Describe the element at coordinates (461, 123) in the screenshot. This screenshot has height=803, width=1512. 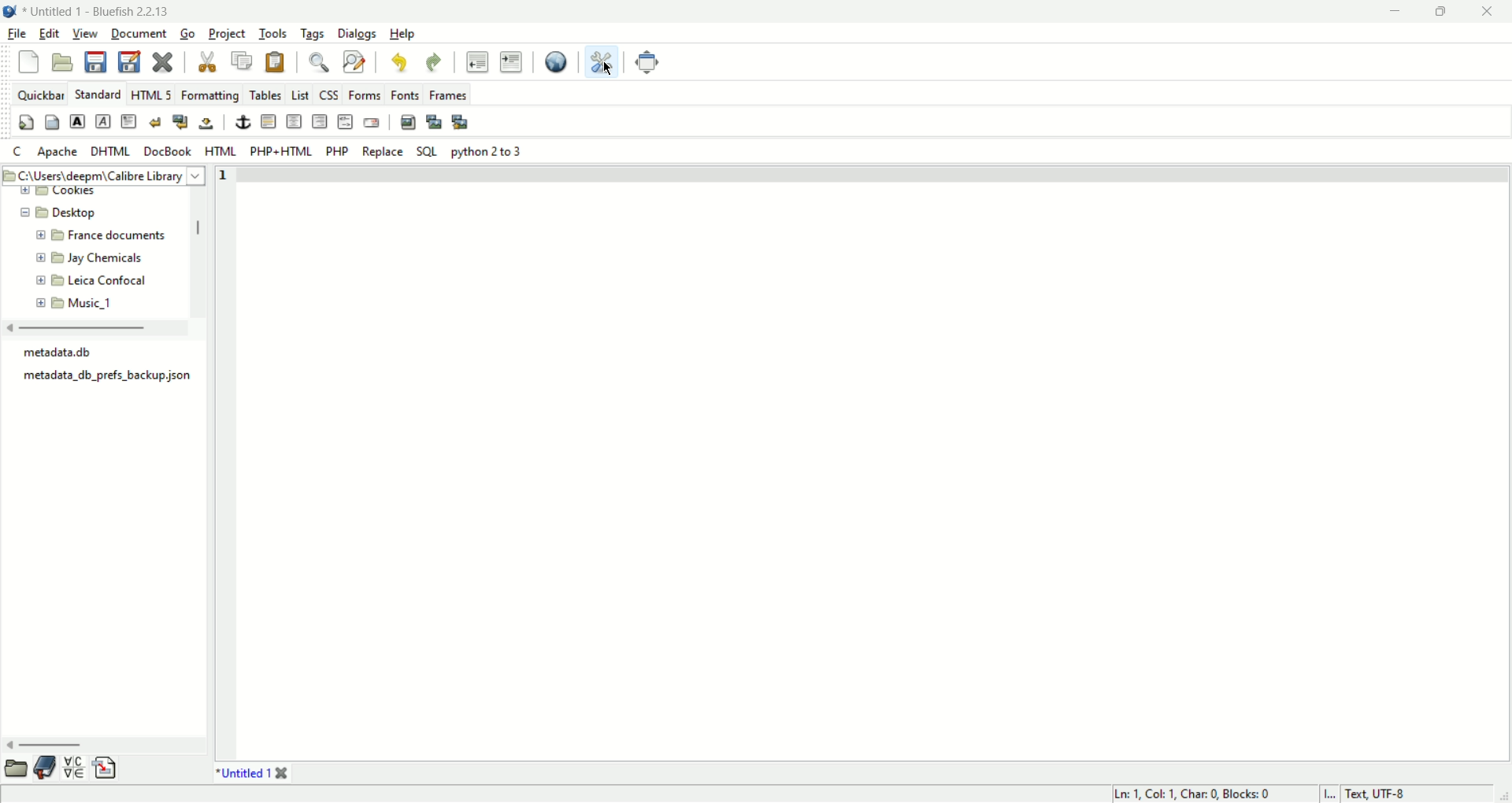
I see `multi thumbnail` at that location.